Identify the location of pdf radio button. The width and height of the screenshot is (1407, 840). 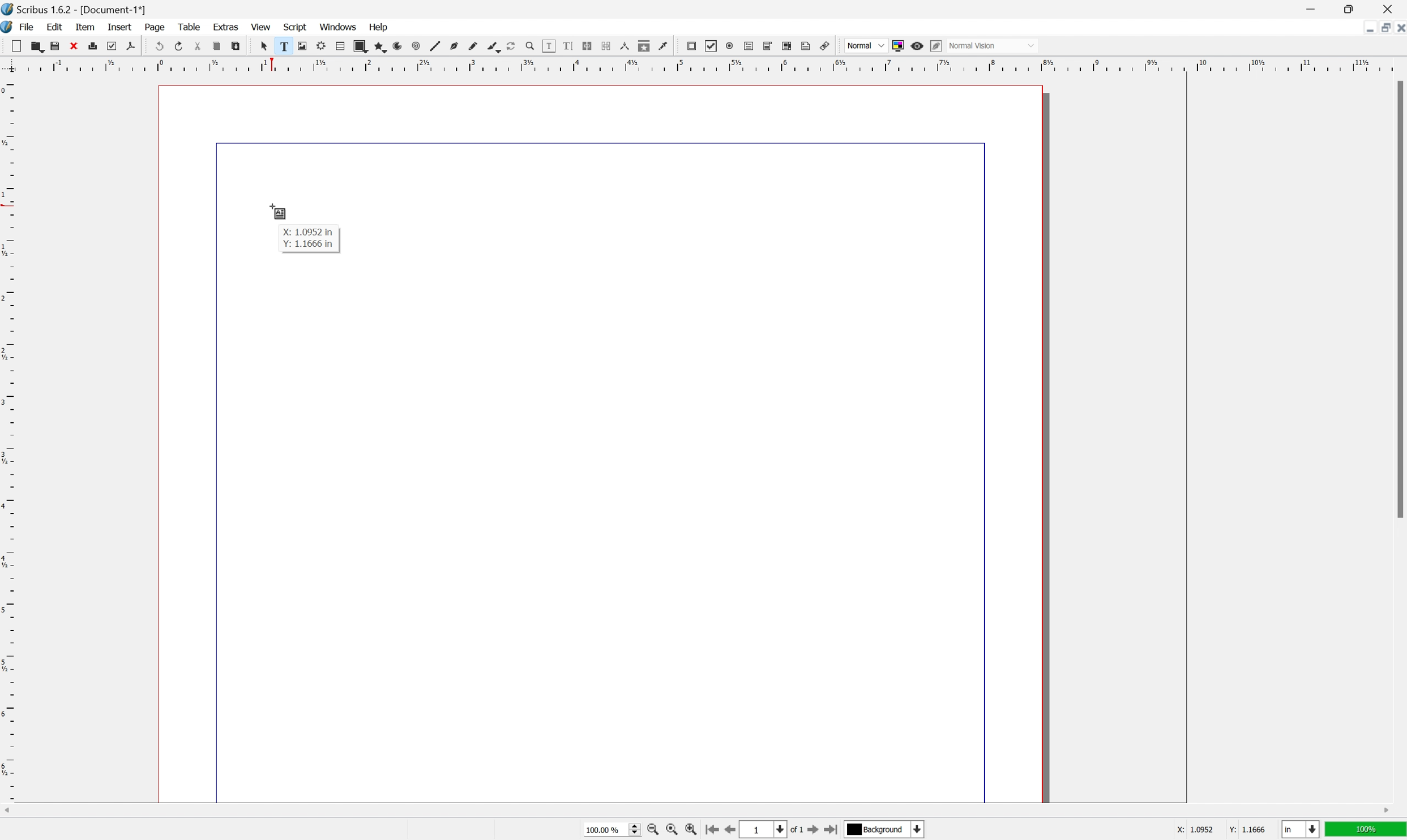
(729, 46).